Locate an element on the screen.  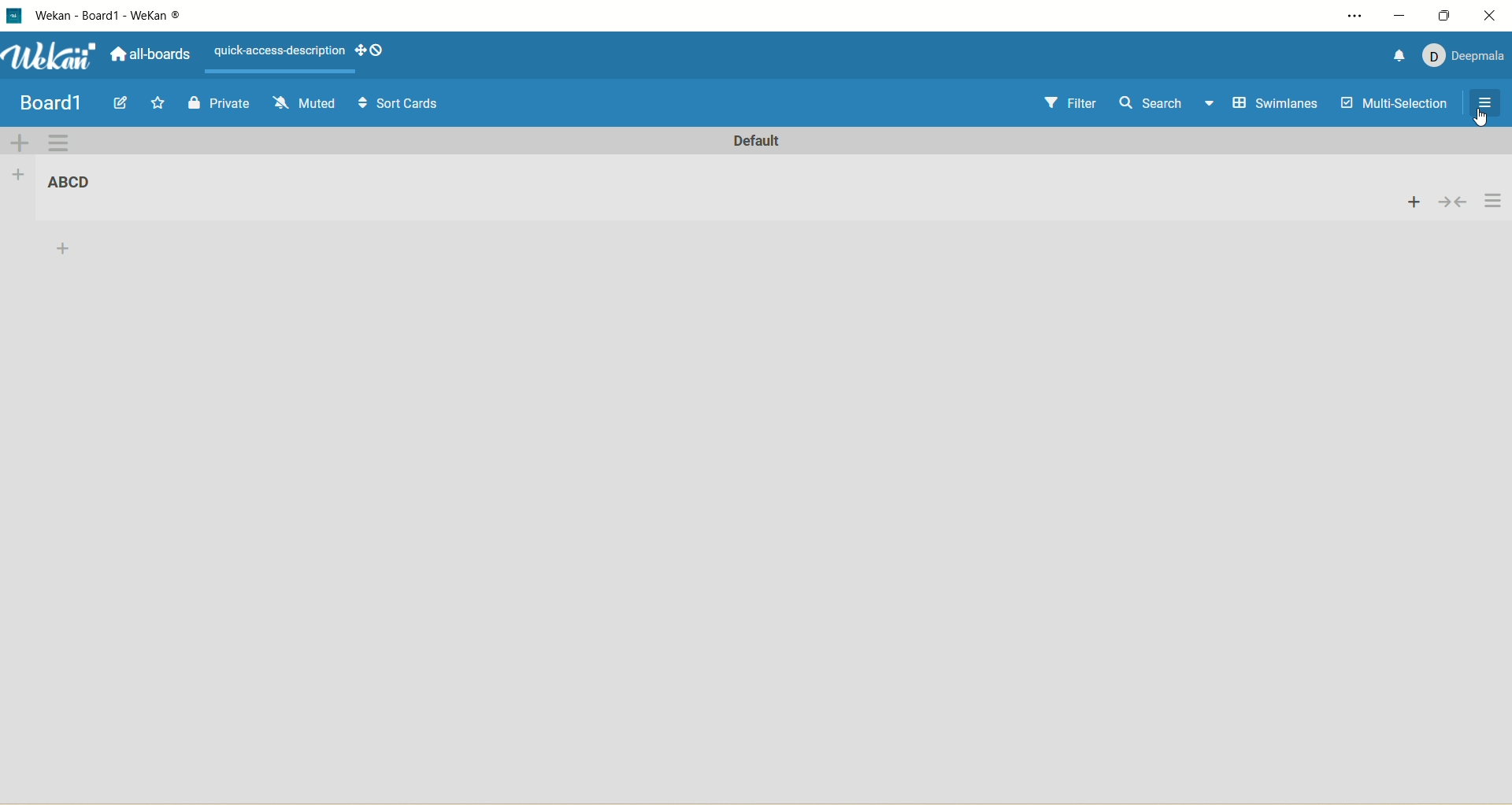
multi-selection is located at coordinates (1396, 103).